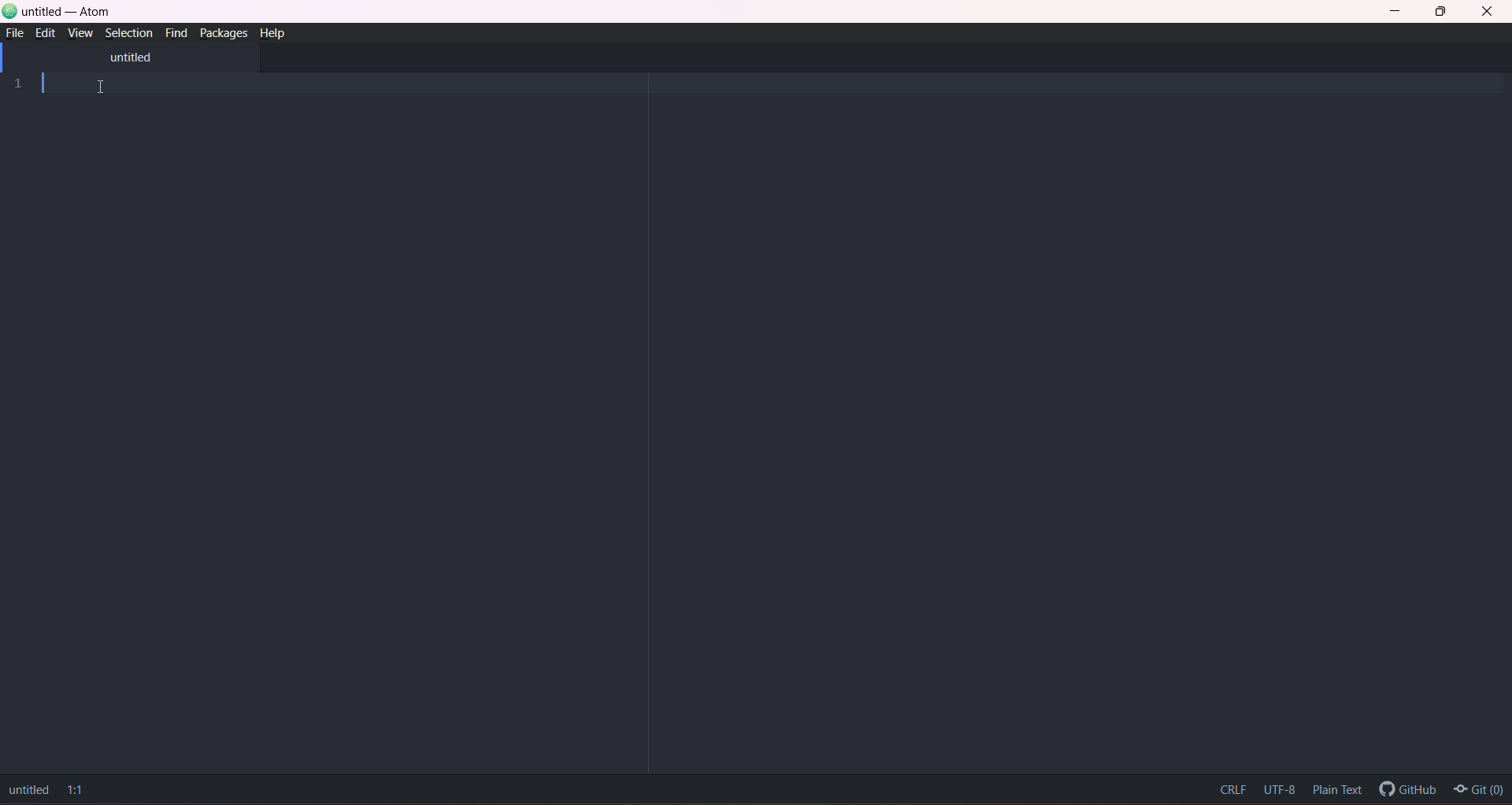 The height and width of the screenshot is (805, 1512). I want to click on Selection, so click(127, 32).